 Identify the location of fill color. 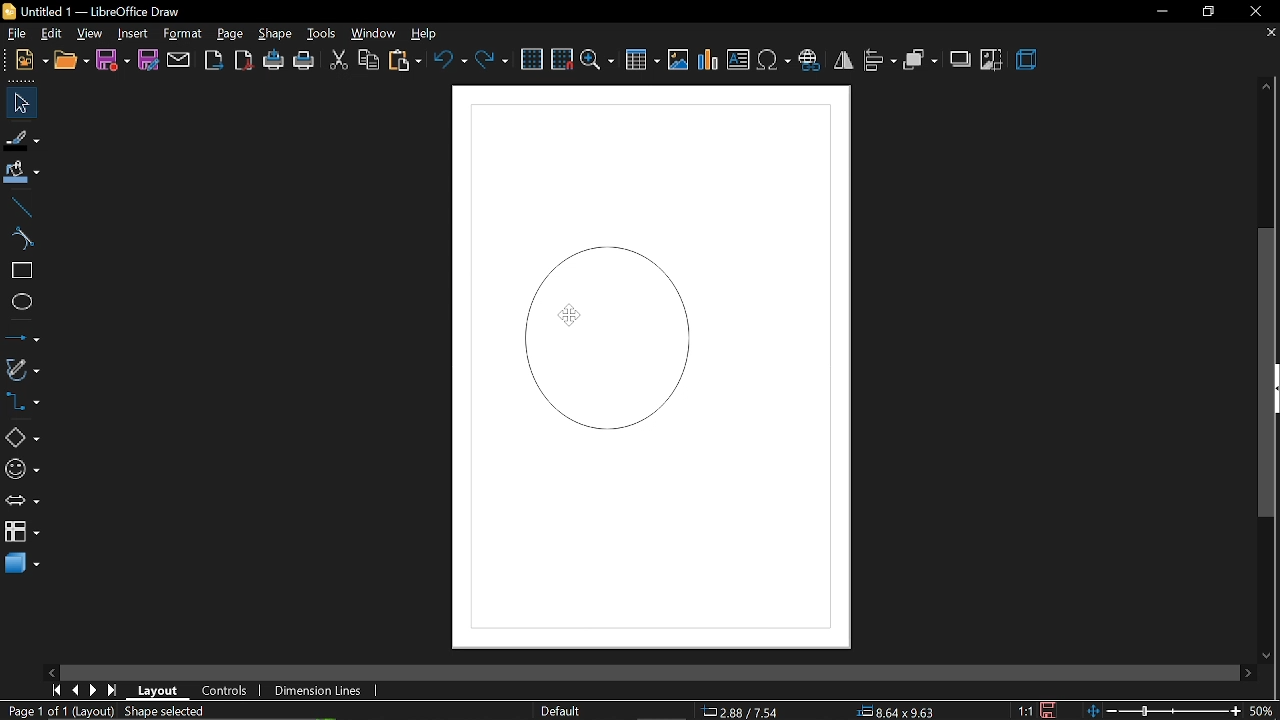
(22, 170).